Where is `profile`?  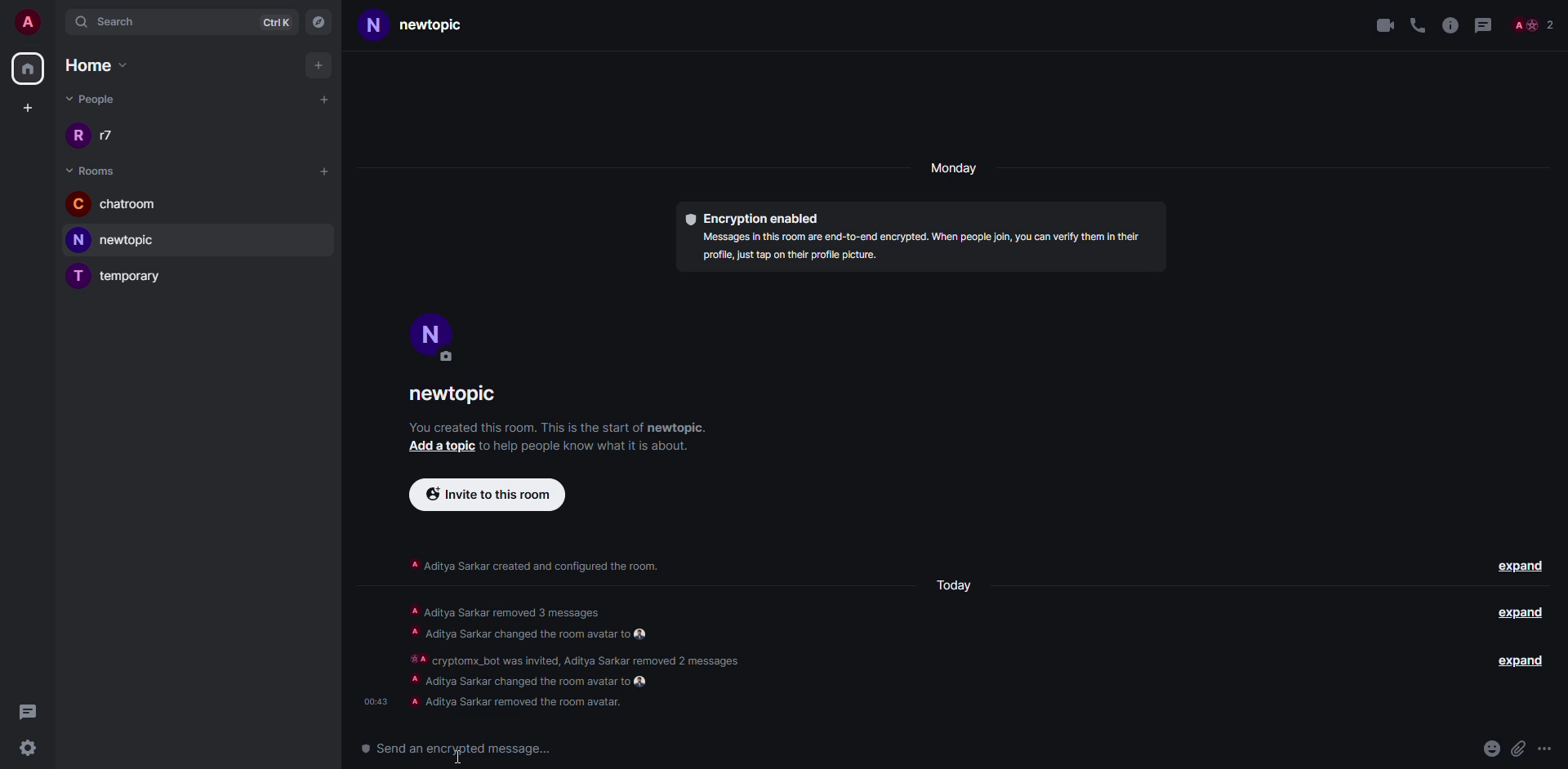 profile is located at coordinates (432, 336).